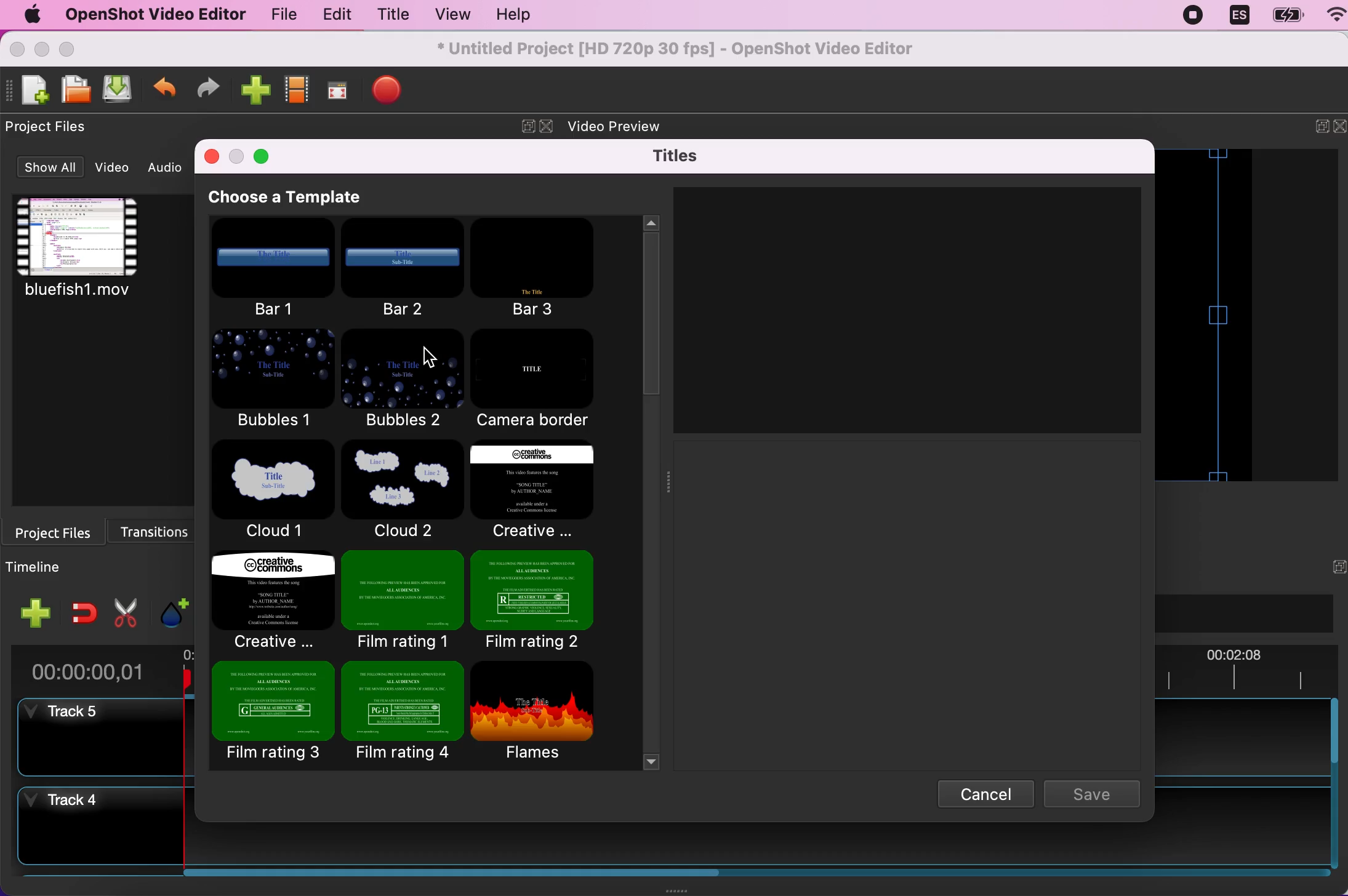 The width and height of the screenshot is (1348, 896). Describe the element at coordinates (544, 711) in the screenshot. I see `flames` at that location.